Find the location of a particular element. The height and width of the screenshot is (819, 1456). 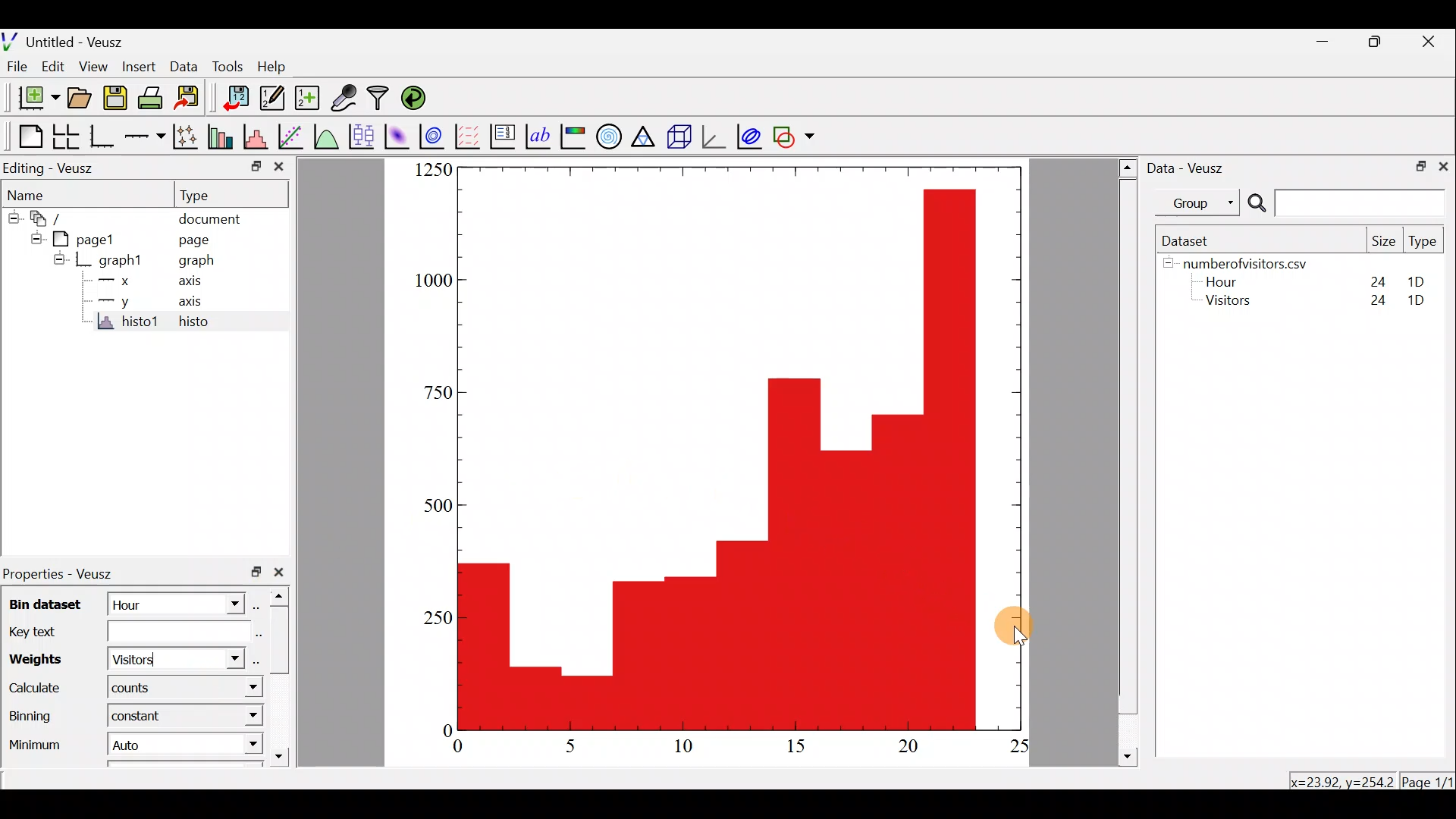

plot points with lines and error bars is located at coordinates (187, 136).